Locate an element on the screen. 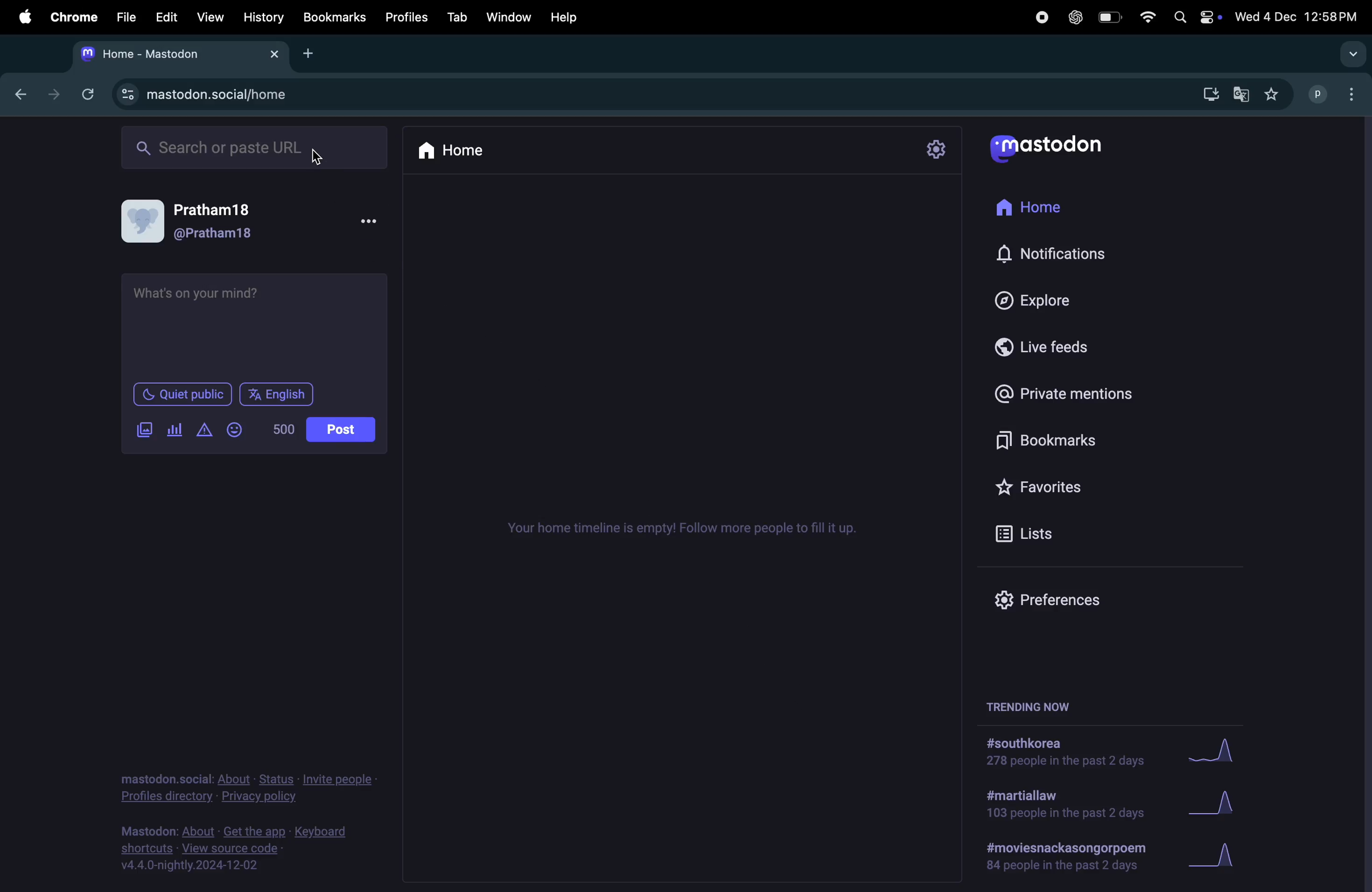  apple widgets is located at coordinates (1193, 16).